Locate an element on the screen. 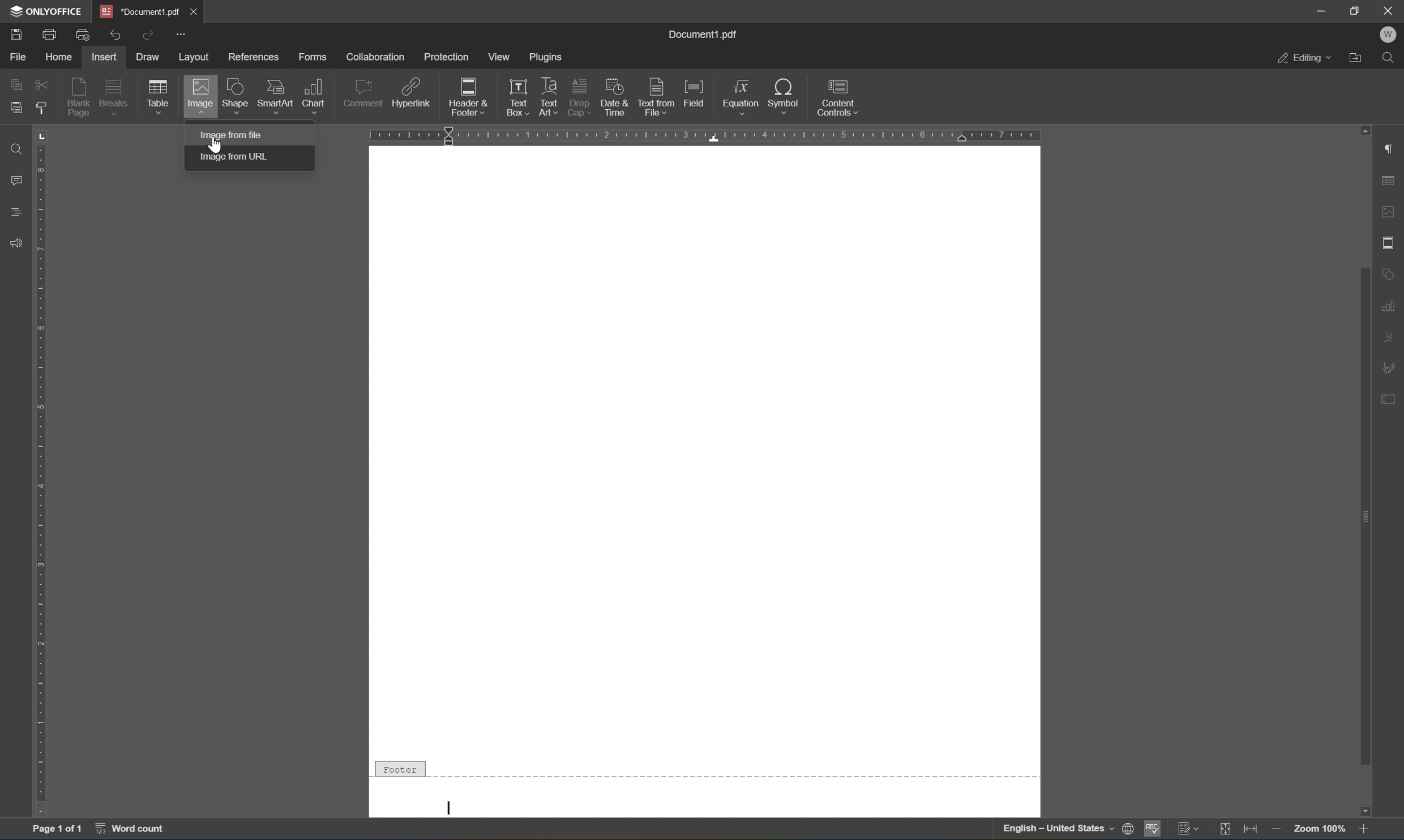  collaboration is located at coordinates (376, 57).